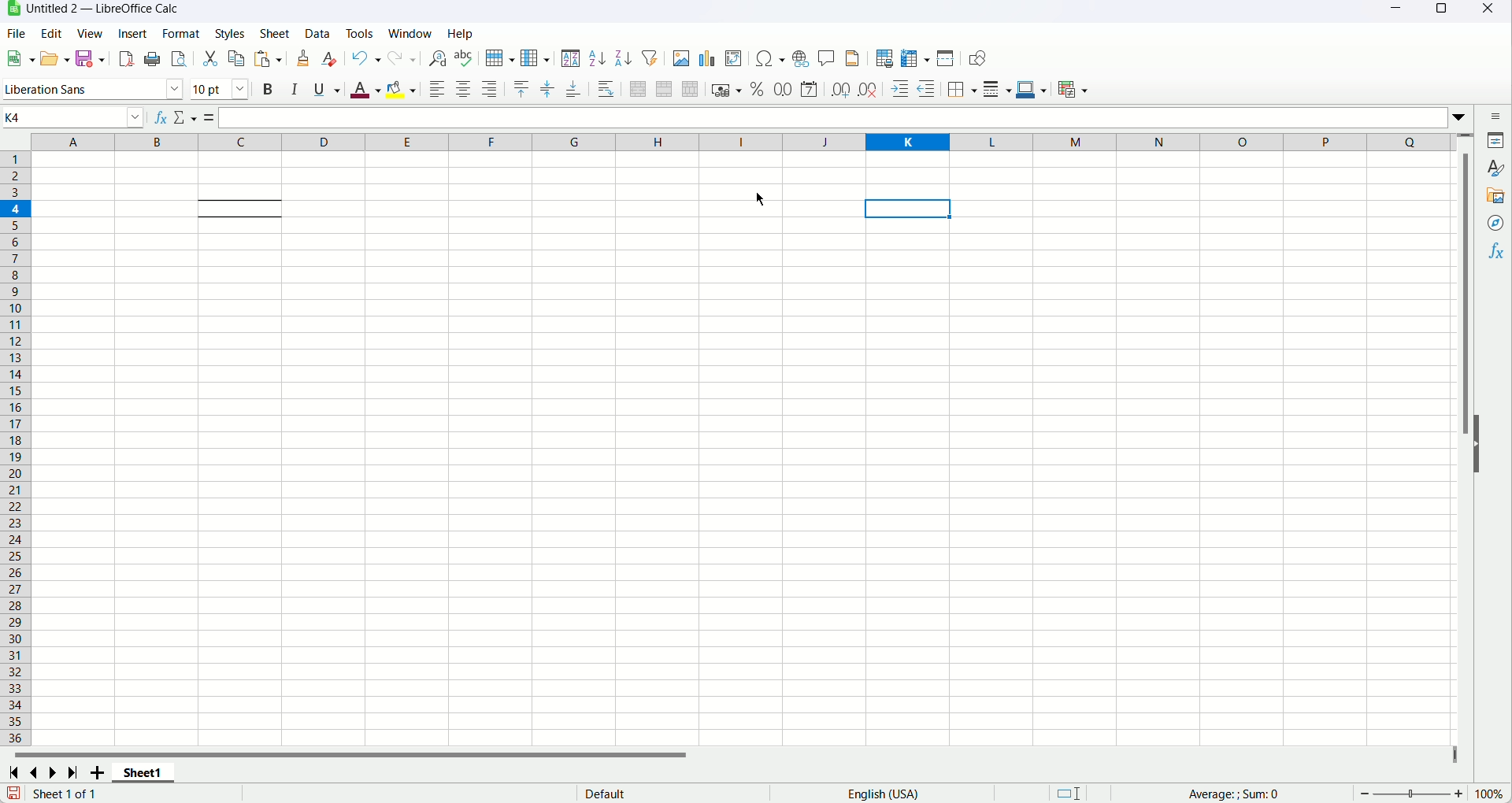  What do you see at coordinates (410, 33) in the screenshot?
I see `Window` at bounding box center [410, 33].